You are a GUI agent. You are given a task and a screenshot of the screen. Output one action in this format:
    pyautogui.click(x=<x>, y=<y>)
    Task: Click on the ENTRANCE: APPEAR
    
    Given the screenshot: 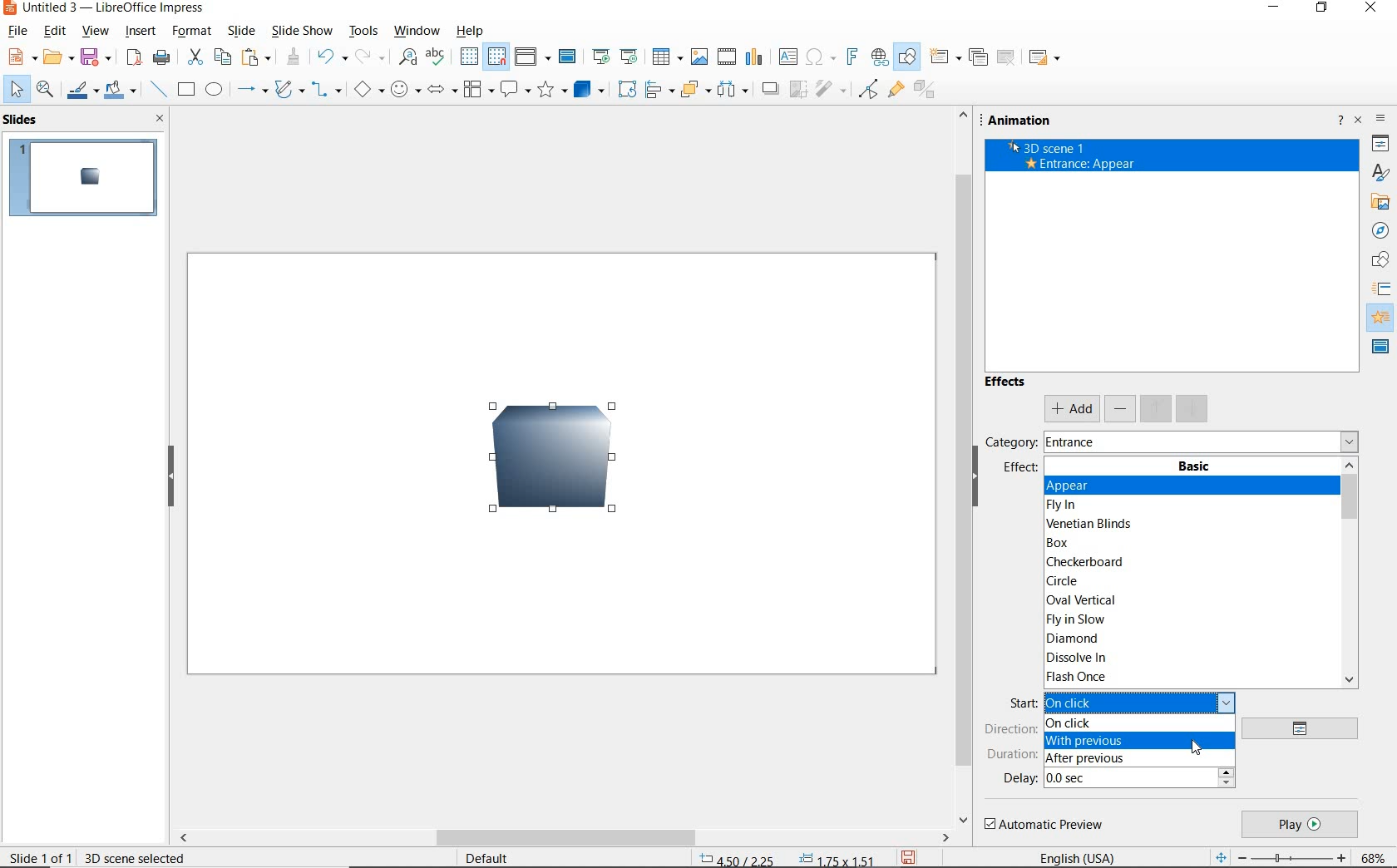 What is the action you would take?
    pyautogui.click(x=1080, y=164)
    